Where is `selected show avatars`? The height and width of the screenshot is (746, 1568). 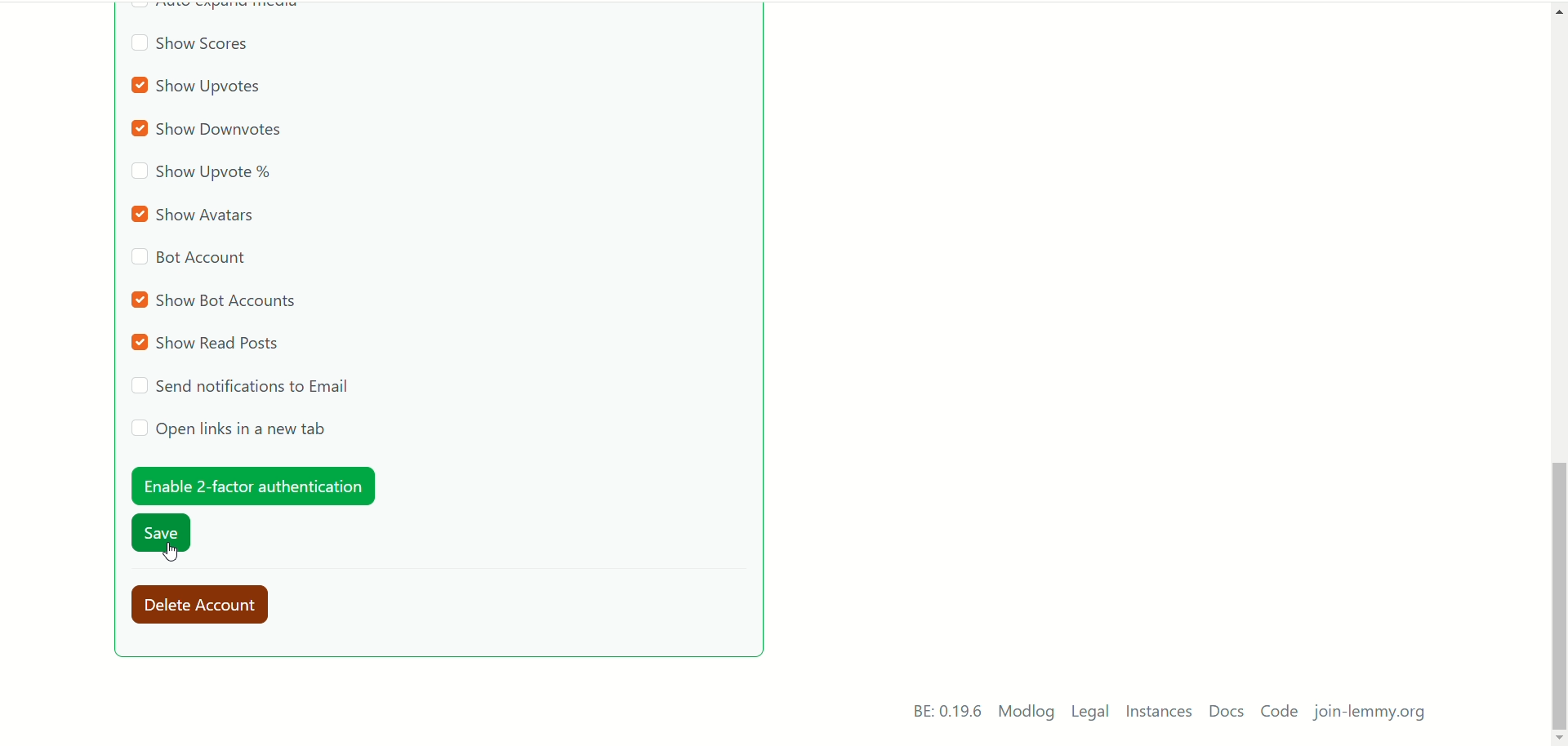
selected show avatars is located at coordinates (198, 214).